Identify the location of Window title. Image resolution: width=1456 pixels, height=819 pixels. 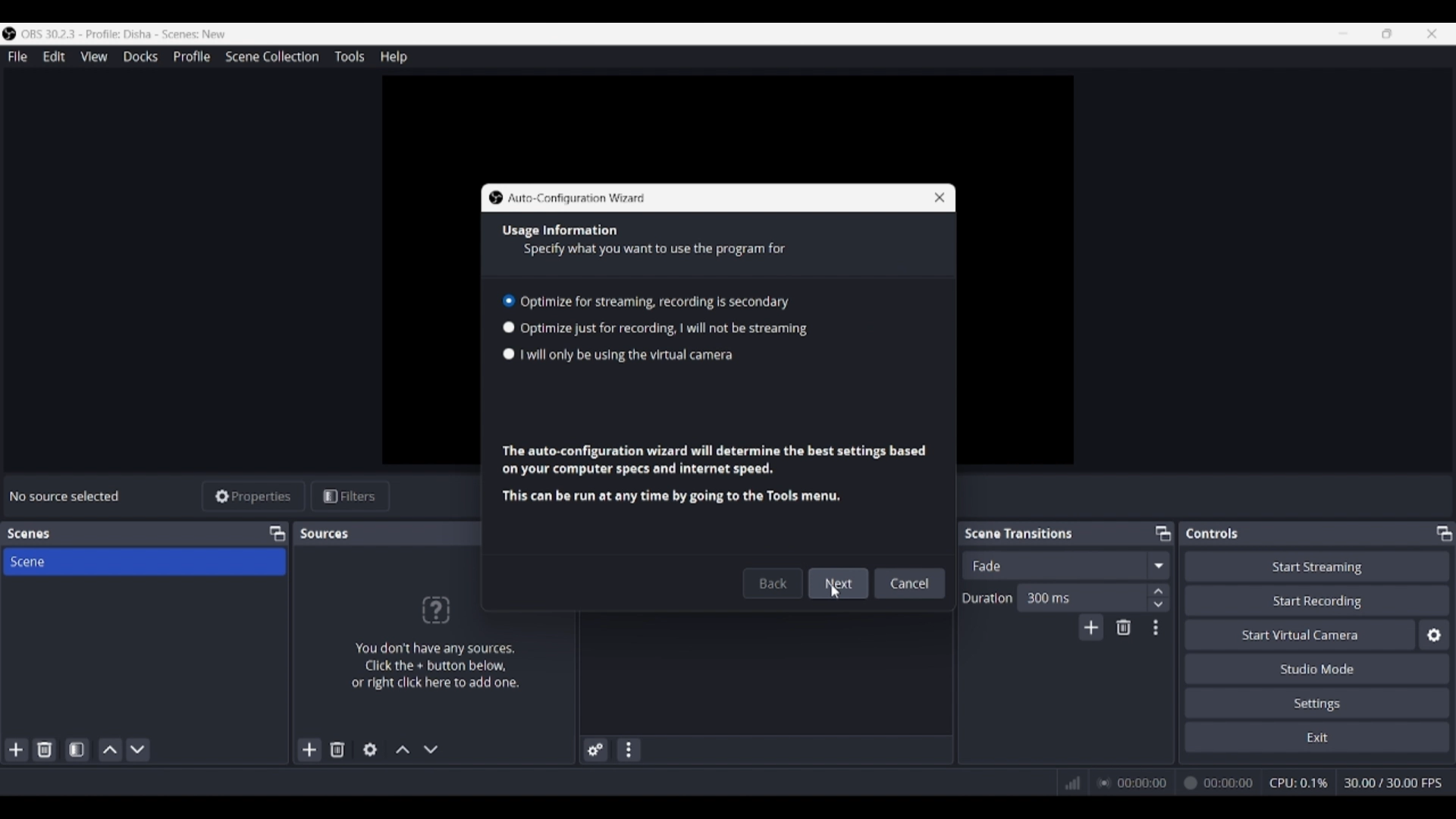
(577, 199).